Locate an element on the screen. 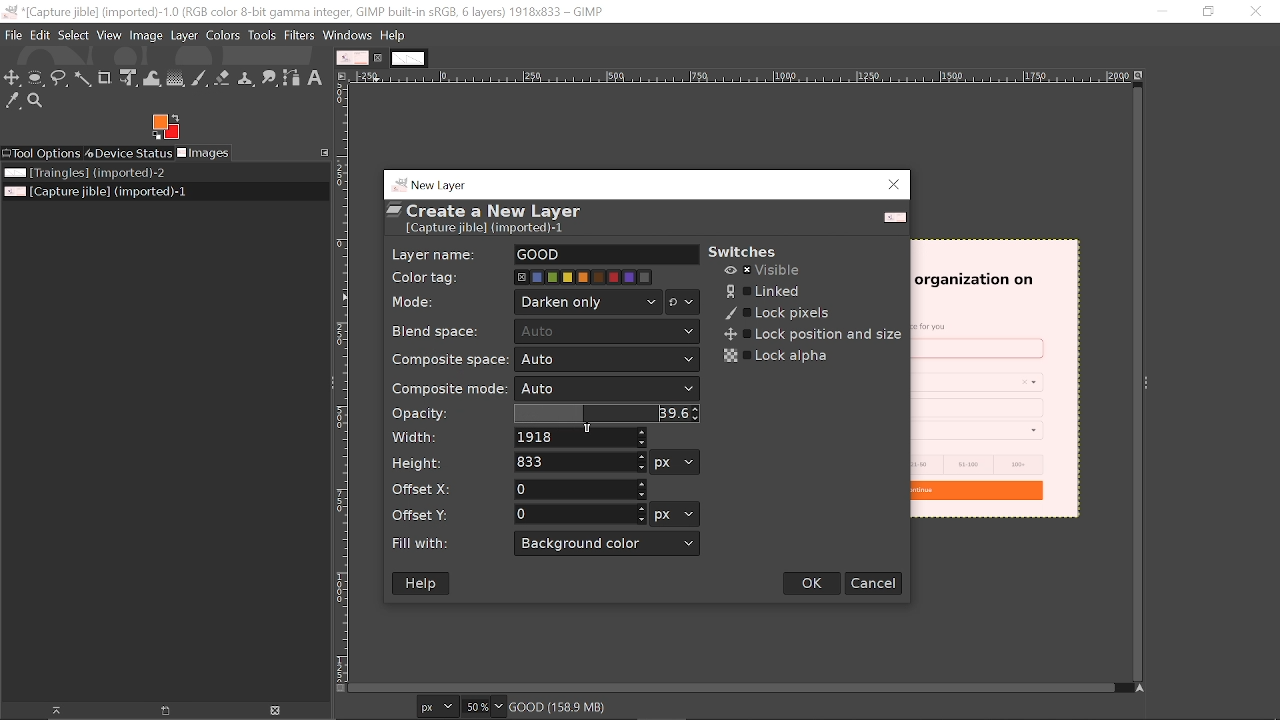 The width and height of the screenshot is (1280, 720). Visible is located at coordinates (764, 271).